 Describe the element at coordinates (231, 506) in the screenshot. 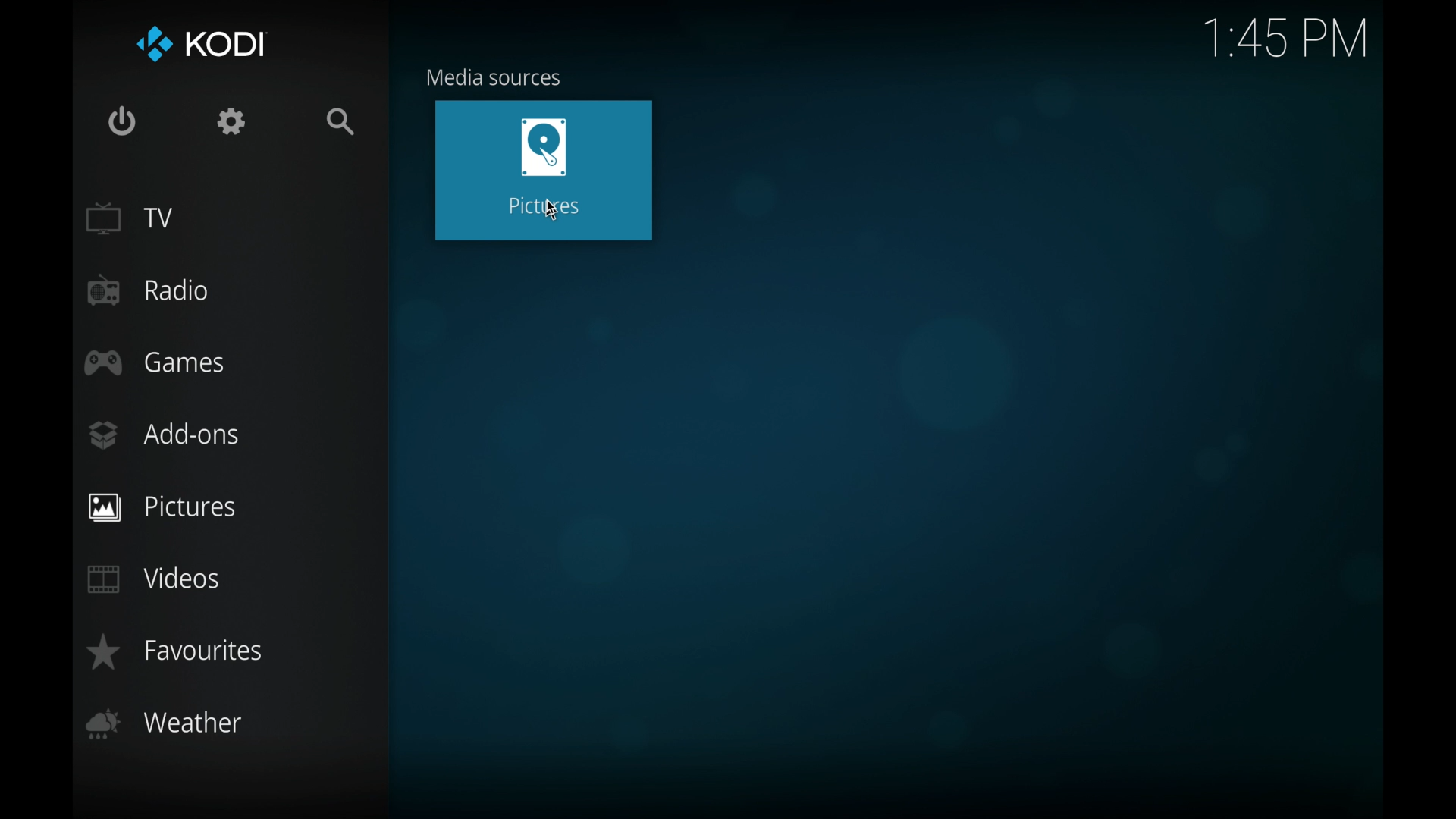

I see `pictures` at that location.